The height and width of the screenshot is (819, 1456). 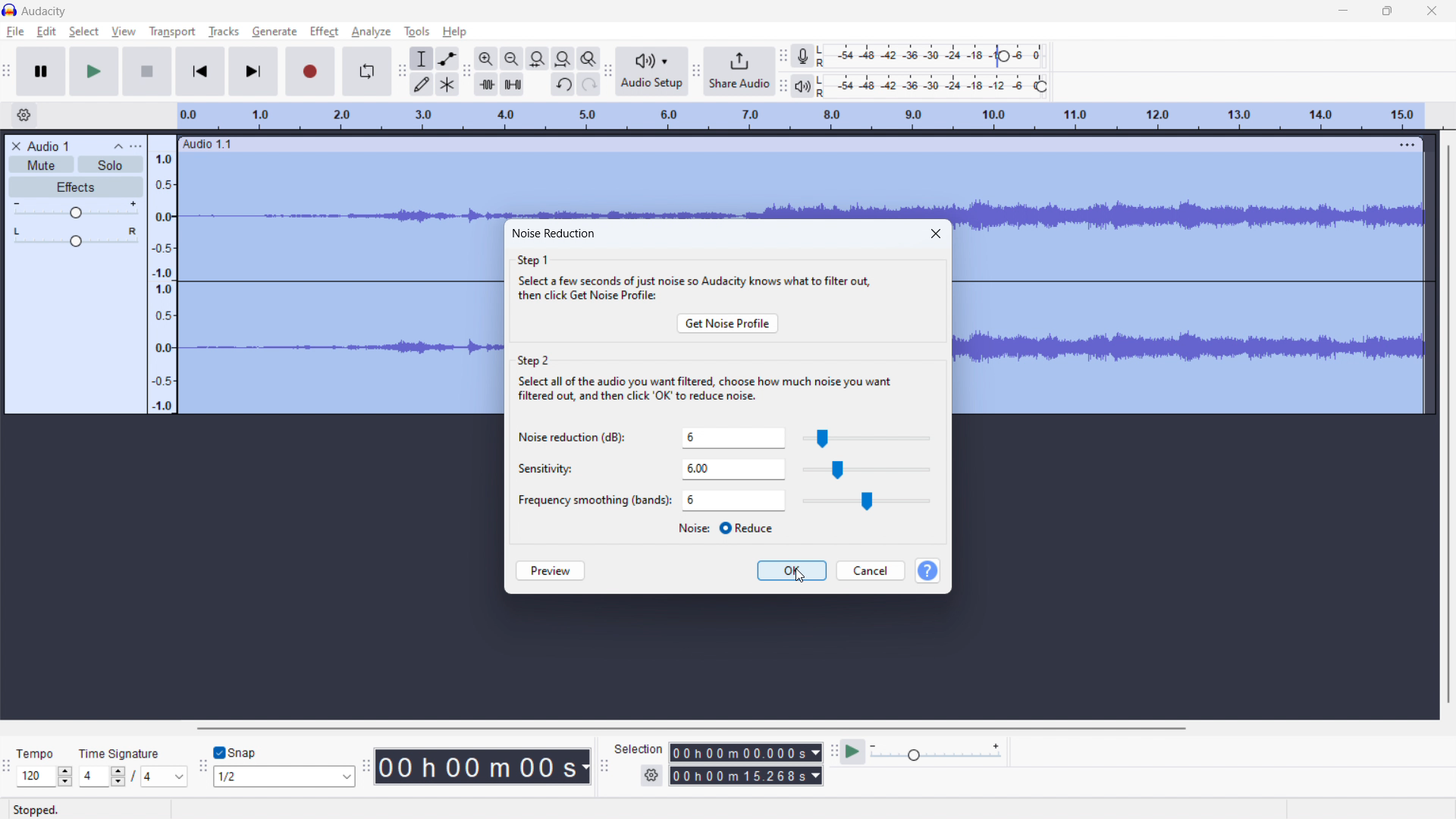 I want to click on timeline settings, so click(x=24, y=115).